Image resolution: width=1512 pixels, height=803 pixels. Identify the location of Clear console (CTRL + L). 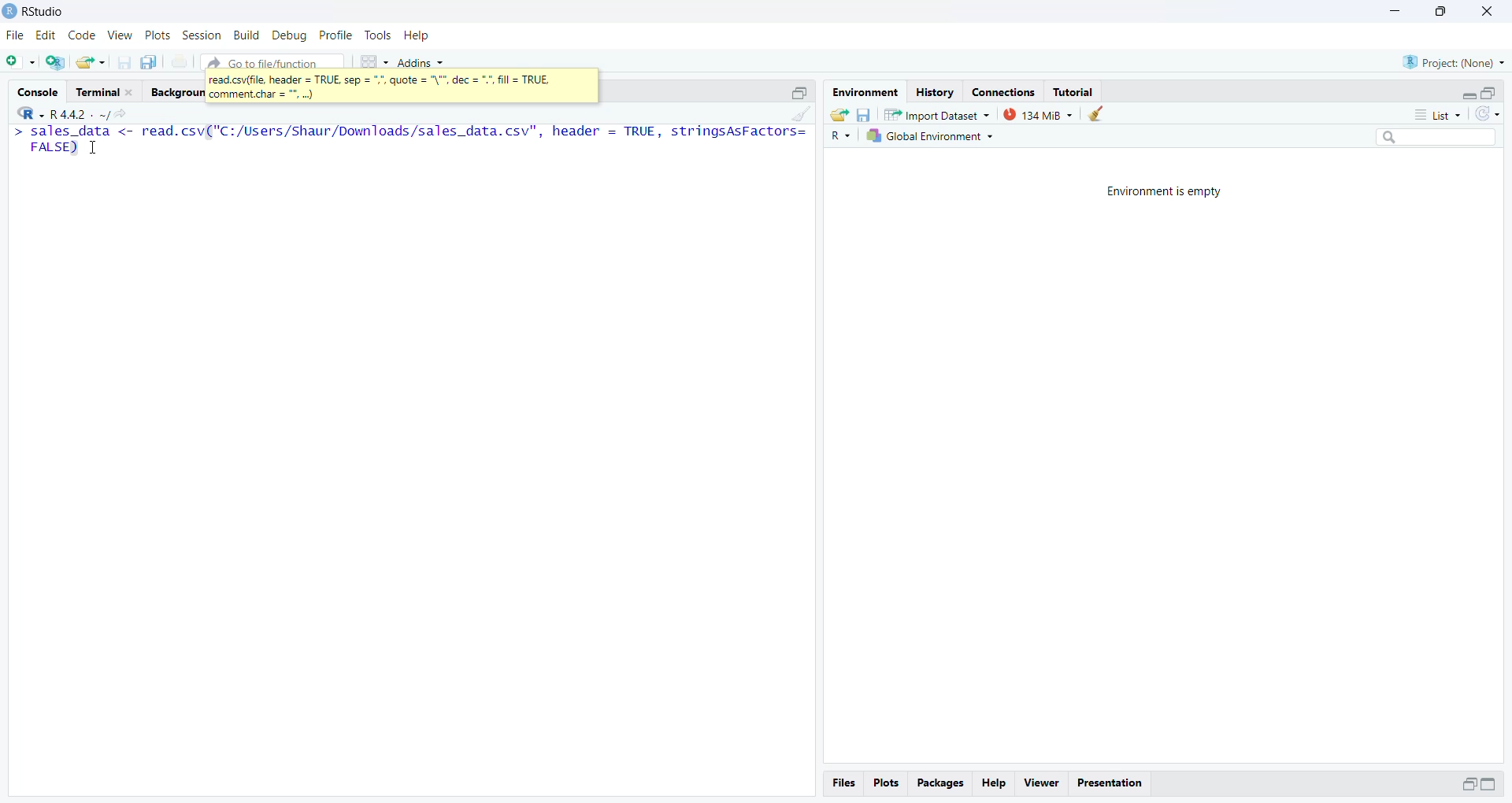
(799, 113).